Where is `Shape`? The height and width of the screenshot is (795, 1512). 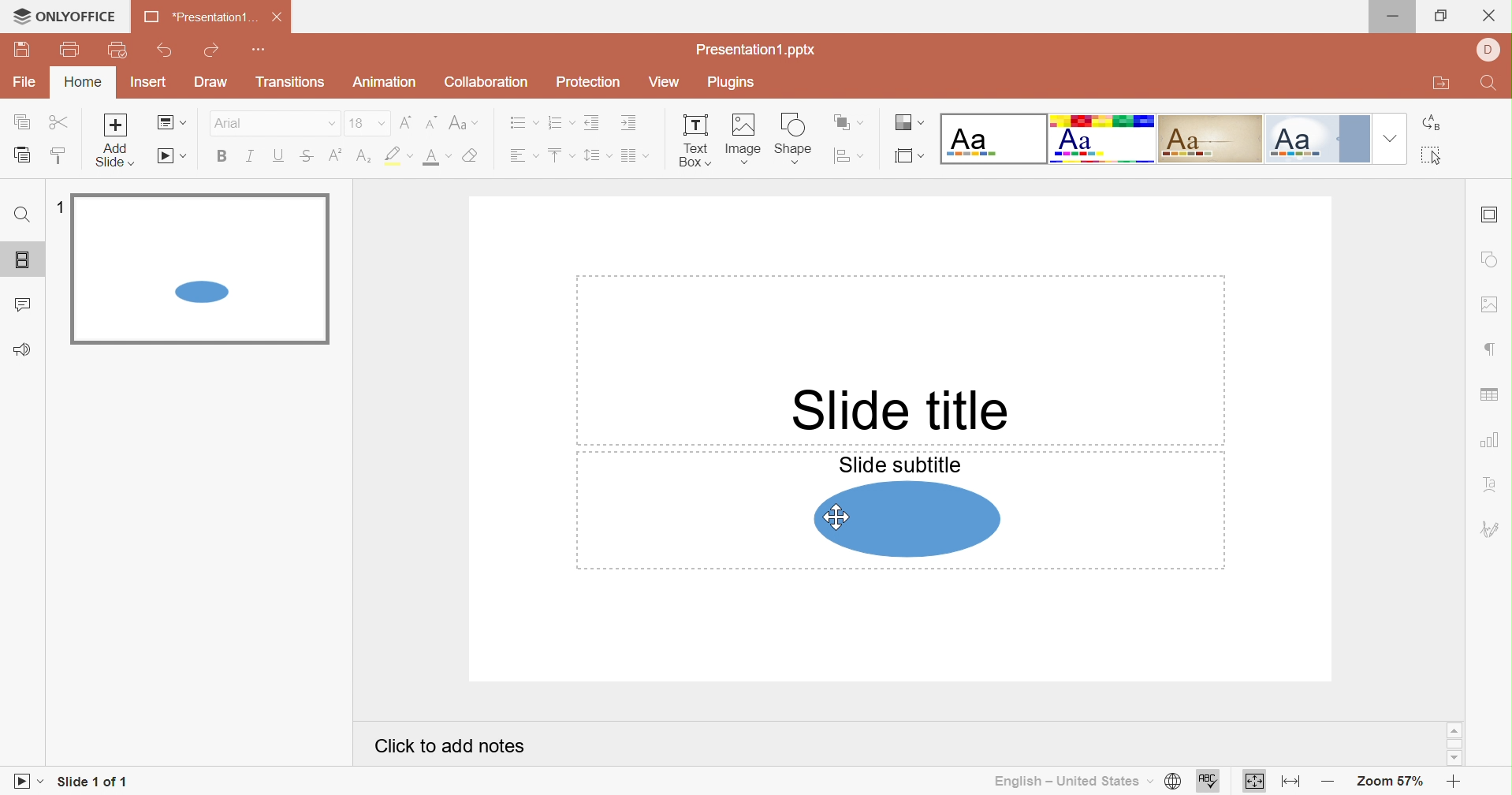
Shape is located at coordinates (793, 139).